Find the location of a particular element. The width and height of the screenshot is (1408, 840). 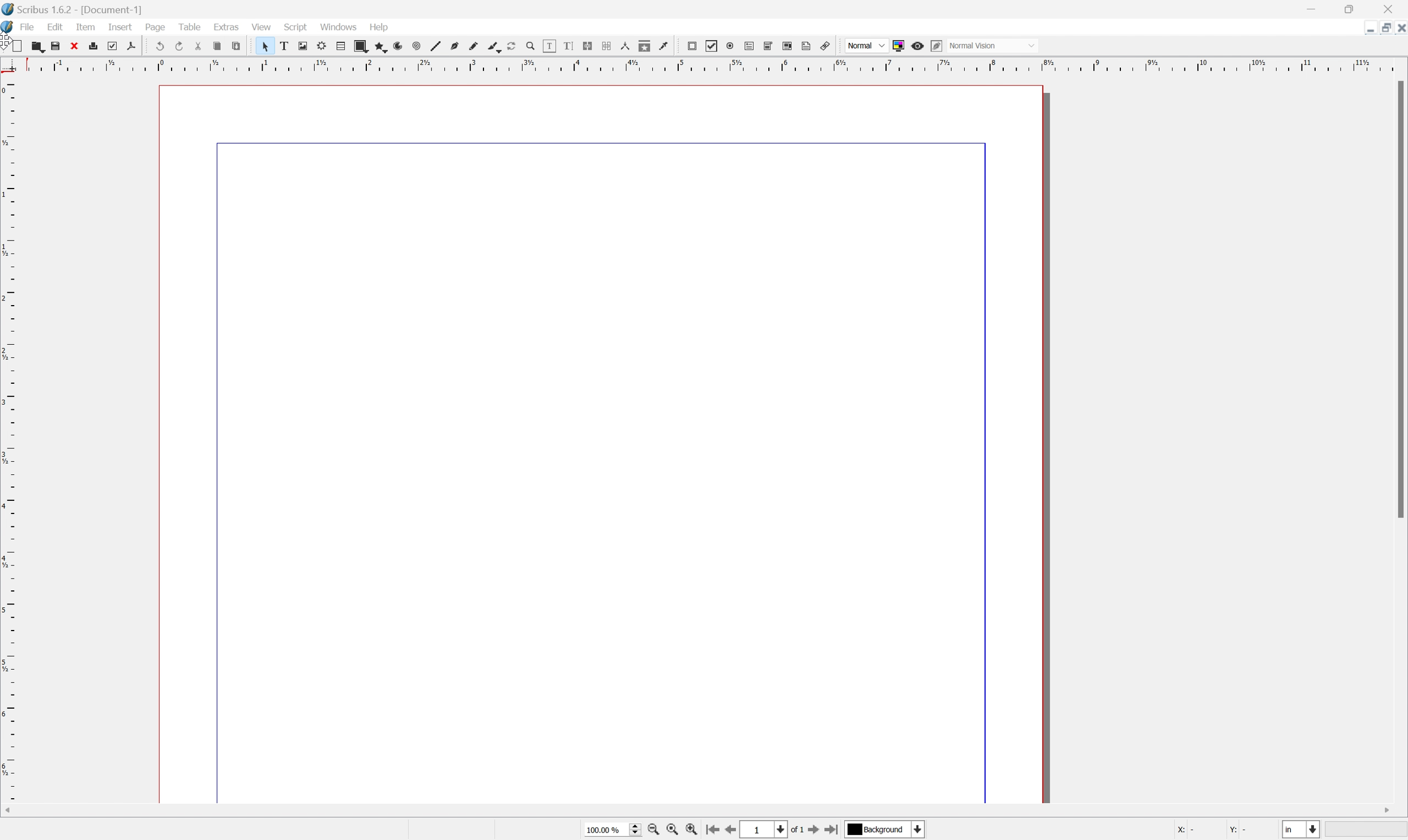

rotate item is located at coordinates (511, 46).